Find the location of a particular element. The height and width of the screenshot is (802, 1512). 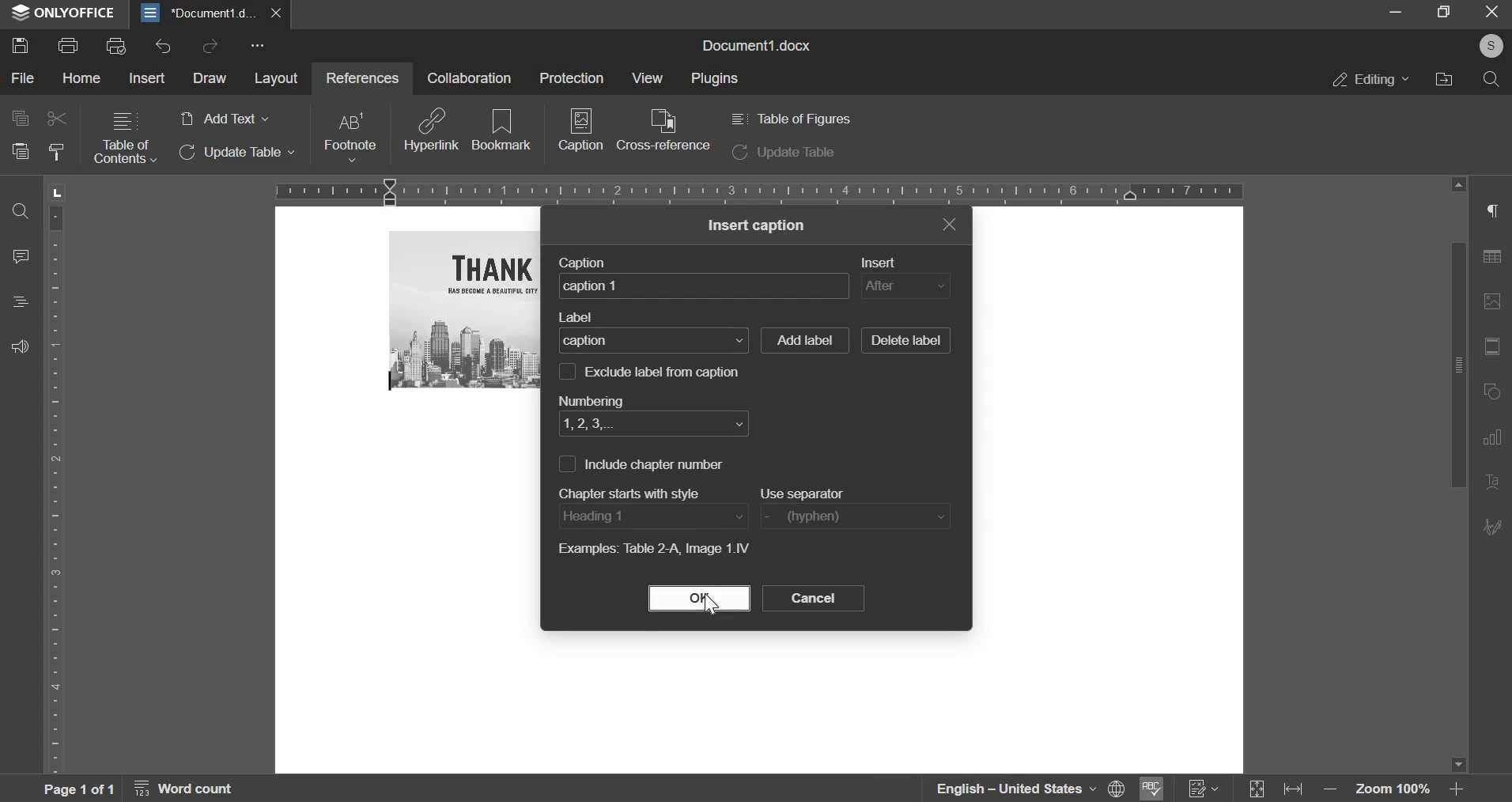

search is located at coordinates (1491, 79).